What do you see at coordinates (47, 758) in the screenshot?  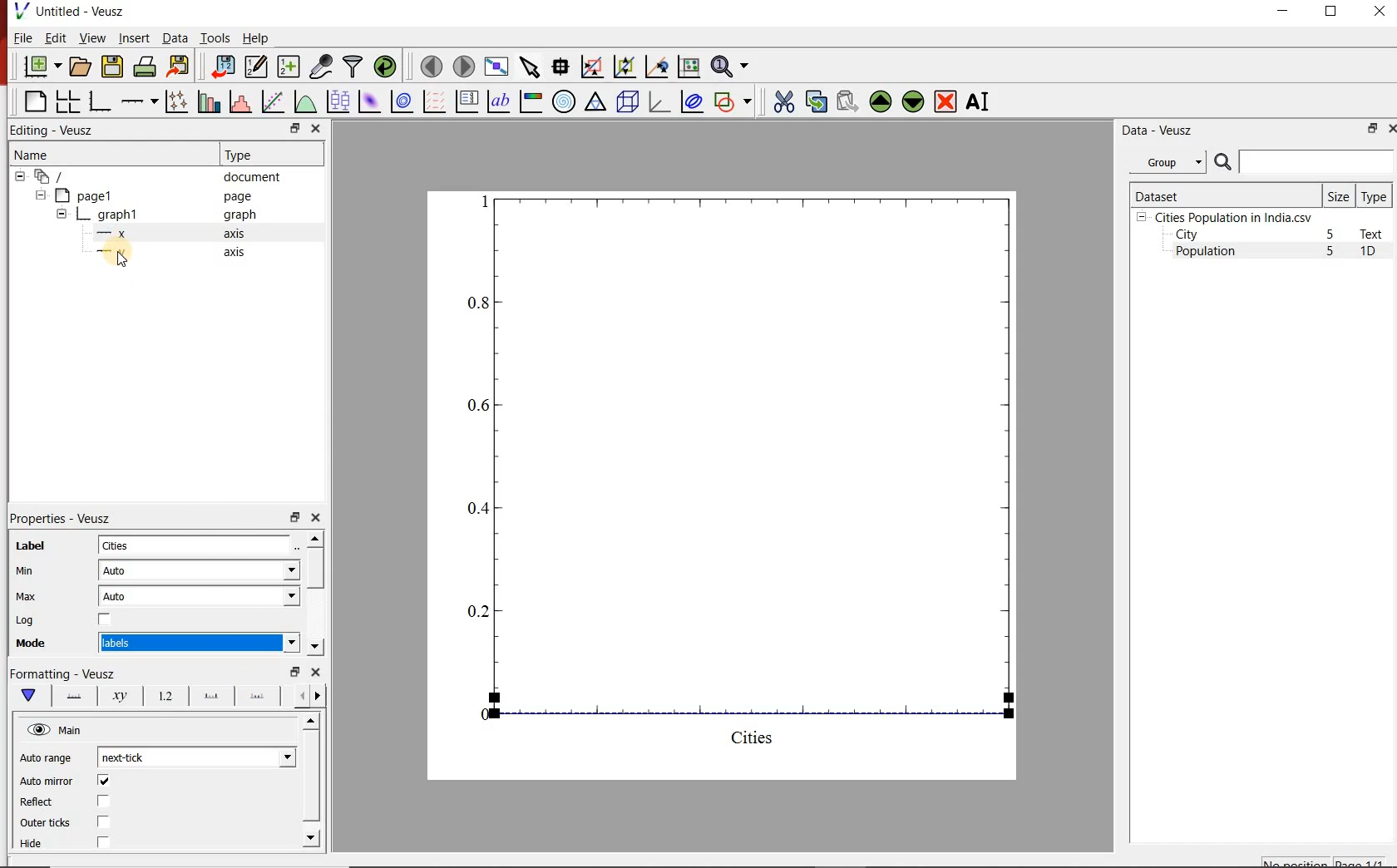 I see `Auto range` at bounding box center [47, 758].